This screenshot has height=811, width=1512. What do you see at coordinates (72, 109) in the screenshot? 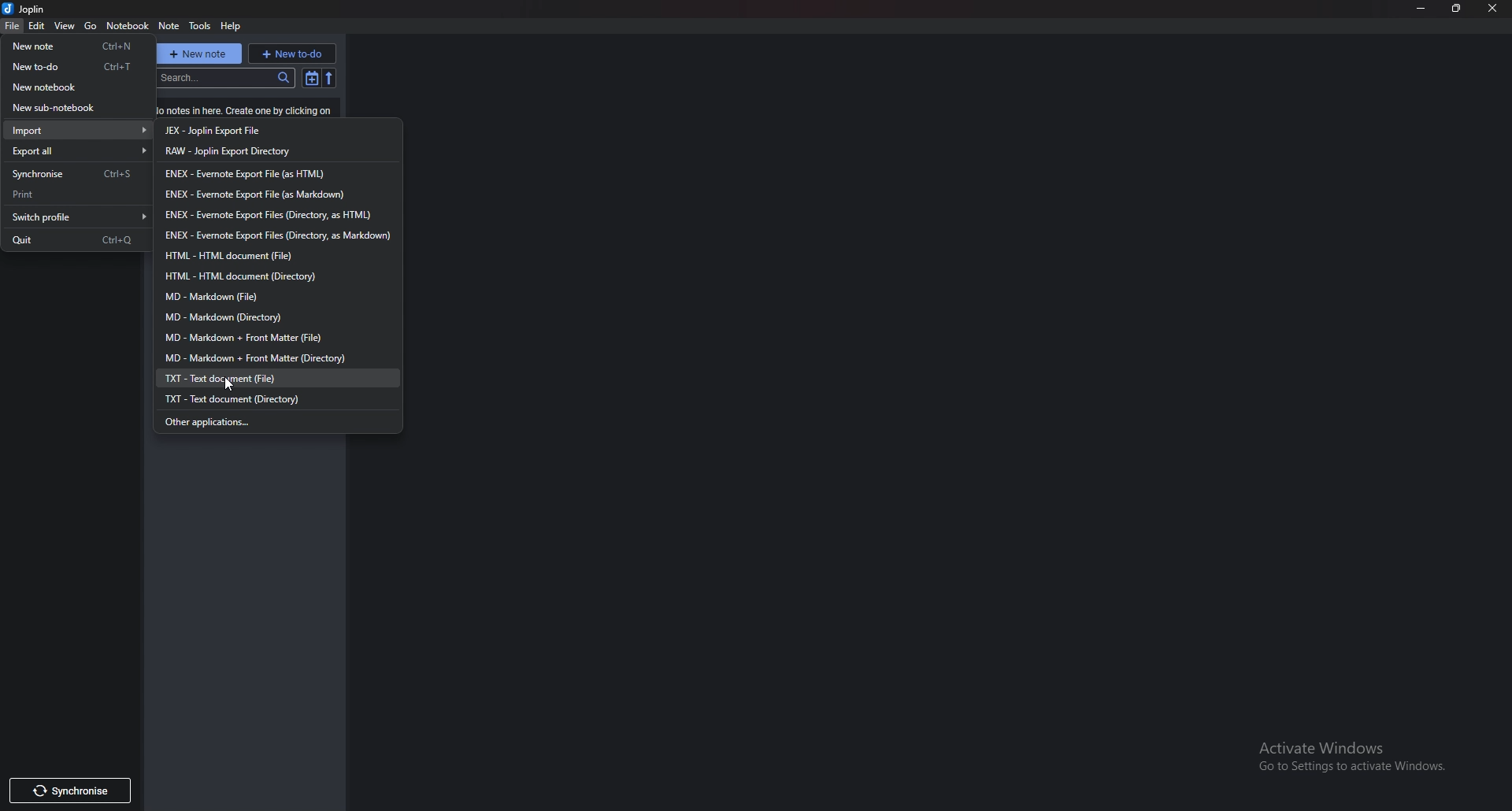
I see `New sub notebook` at bounding box center [72, 109].